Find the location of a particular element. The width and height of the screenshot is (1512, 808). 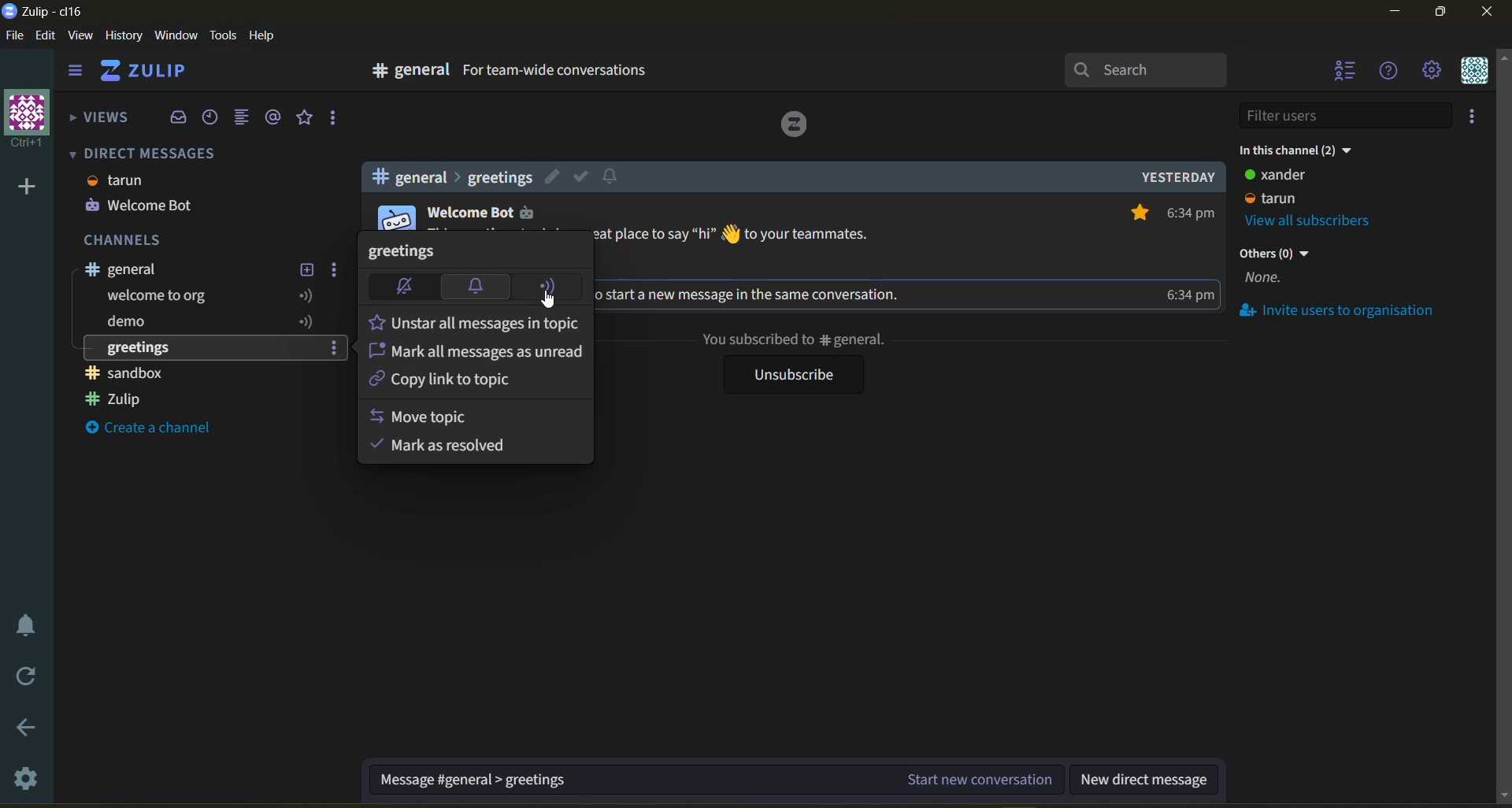

filter users is located at coordinates (1350, 116).